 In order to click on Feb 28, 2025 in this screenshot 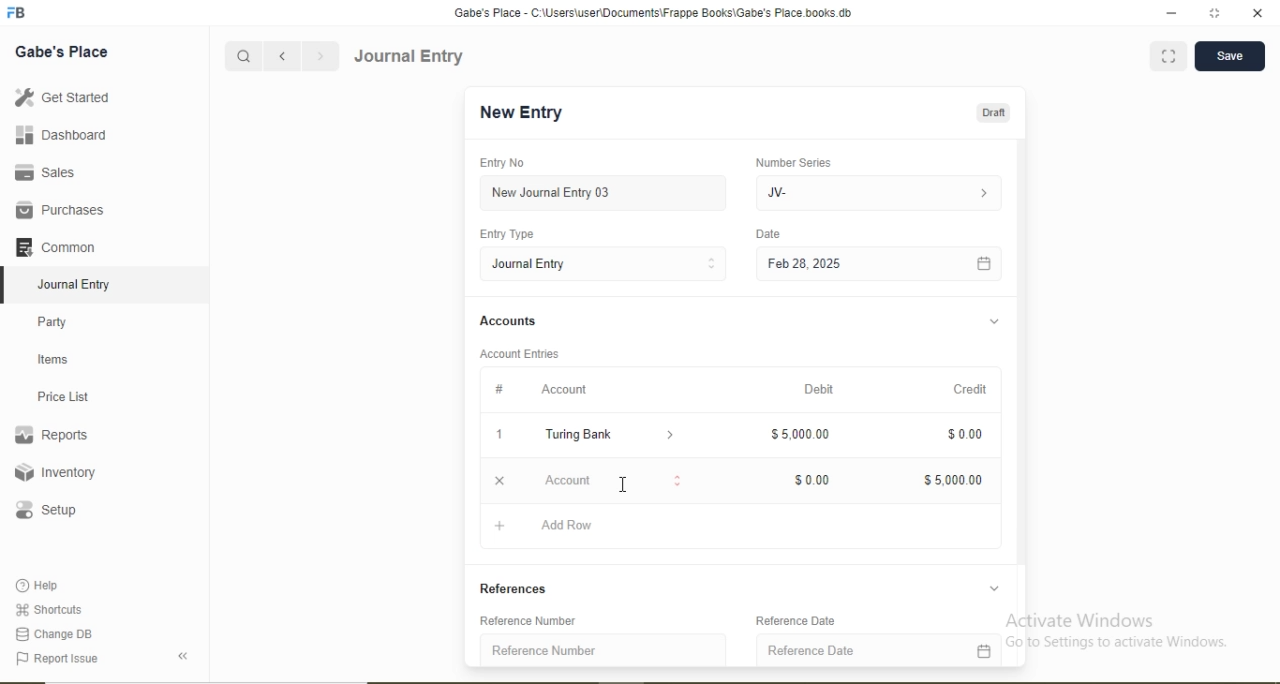, I will do `click(804, 263)`.